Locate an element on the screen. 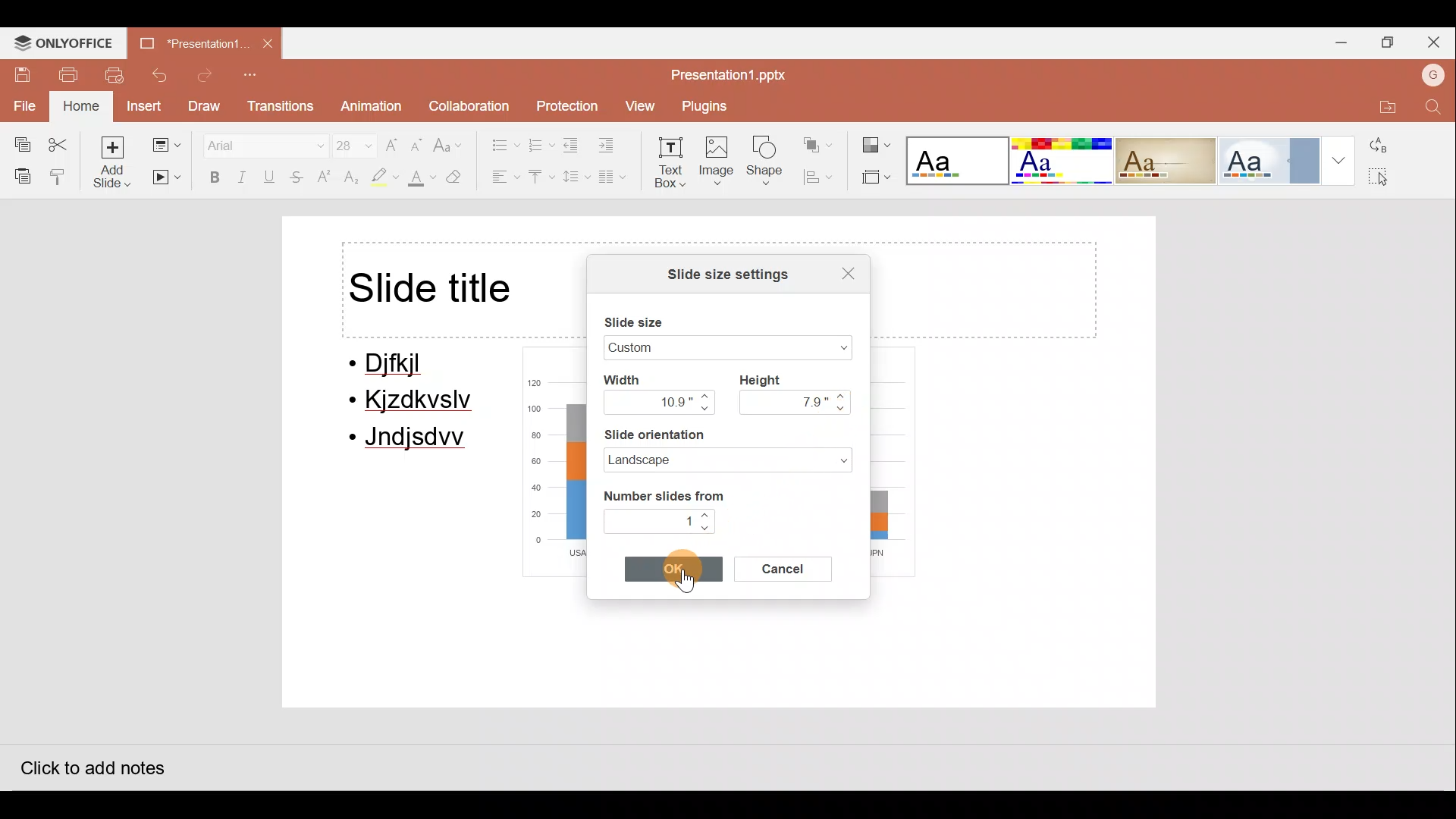 The height and width of the screenshot is (819, 1456). Height is located at coordinates (767, 378).